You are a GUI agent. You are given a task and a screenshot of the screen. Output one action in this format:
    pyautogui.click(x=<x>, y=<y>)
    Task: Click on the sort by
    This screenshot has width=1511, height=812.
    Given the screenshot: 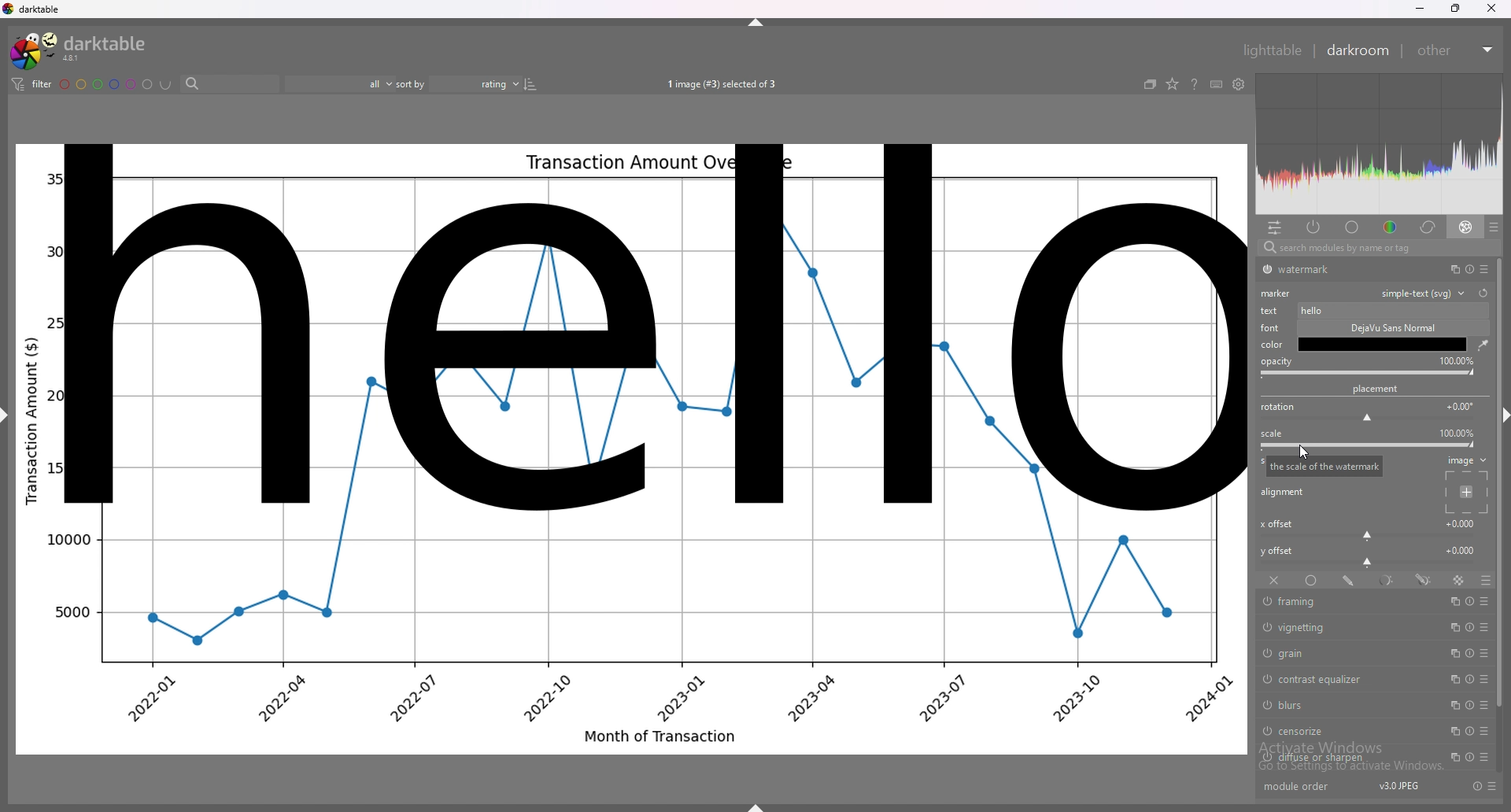 What is the action you would take?
    pyautogui.click(x=458, y=82)
    